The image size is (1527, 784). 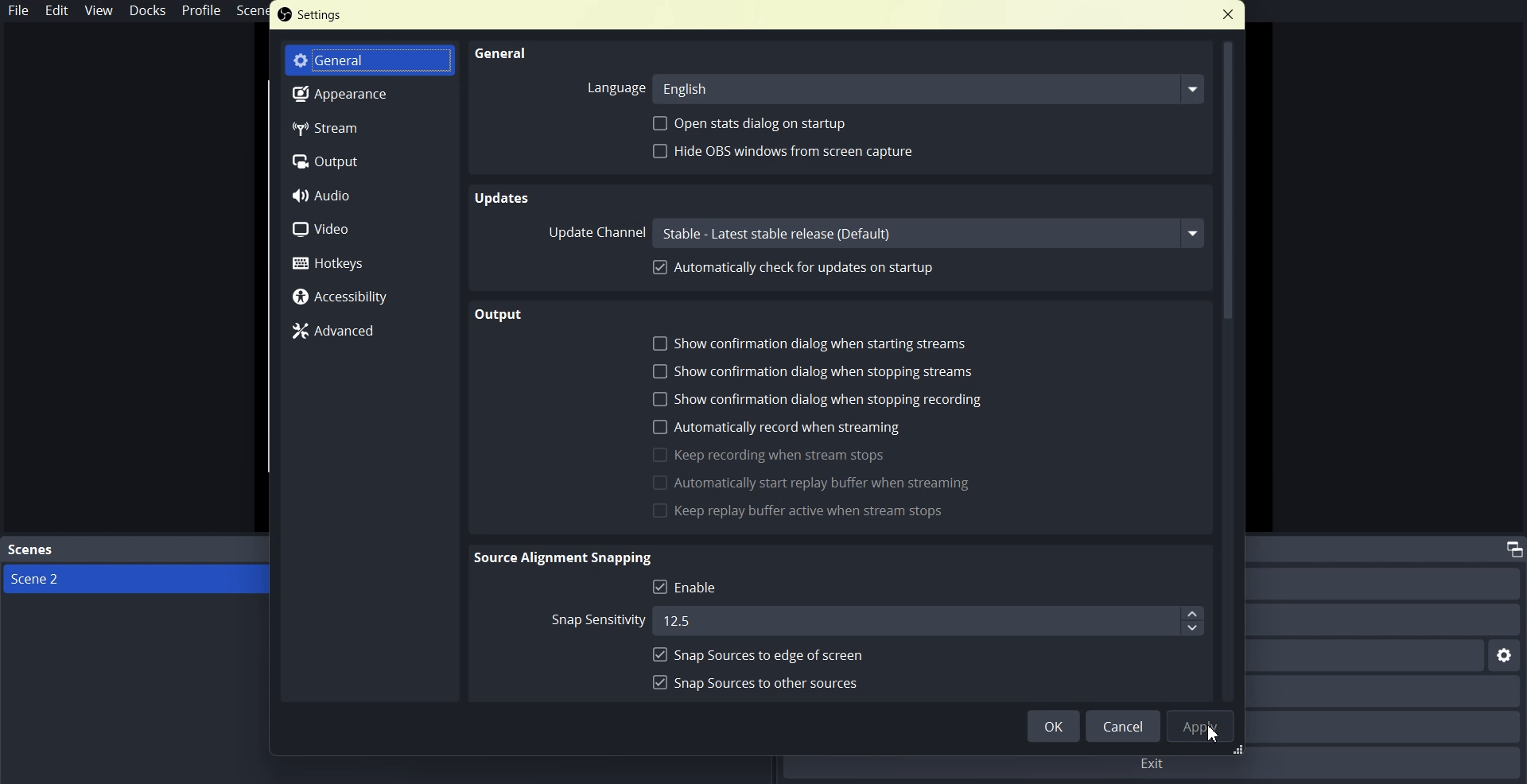 What do you see at coordinates (777, 425) in the screenshot?
I see `Automatically record when streaming` at bounding box center [777, 425].